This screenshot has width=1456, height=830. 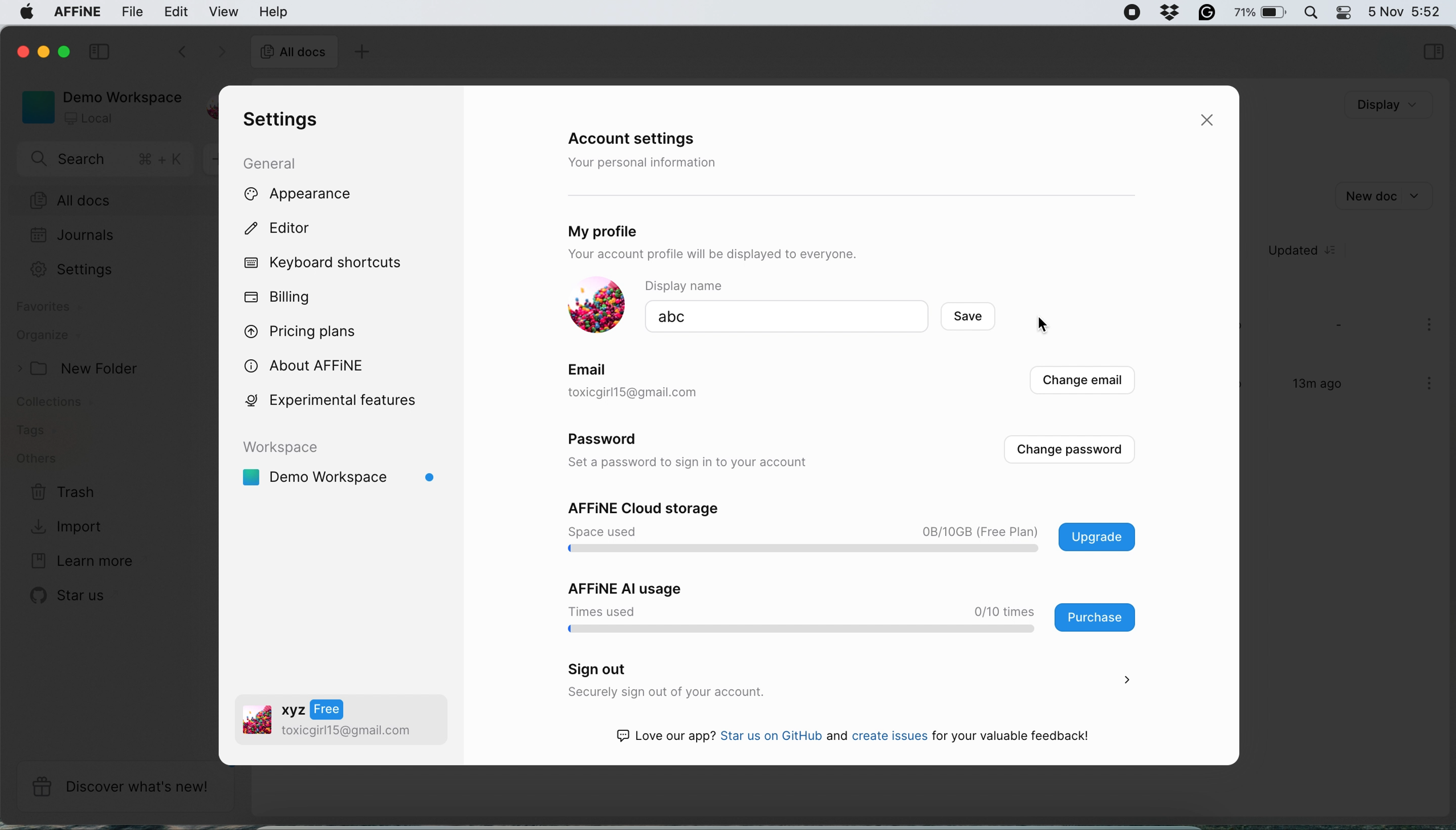 What do you see at coordinates (289, 230) in the screenshot?
I see `editor` at bounding box center [289, 230].